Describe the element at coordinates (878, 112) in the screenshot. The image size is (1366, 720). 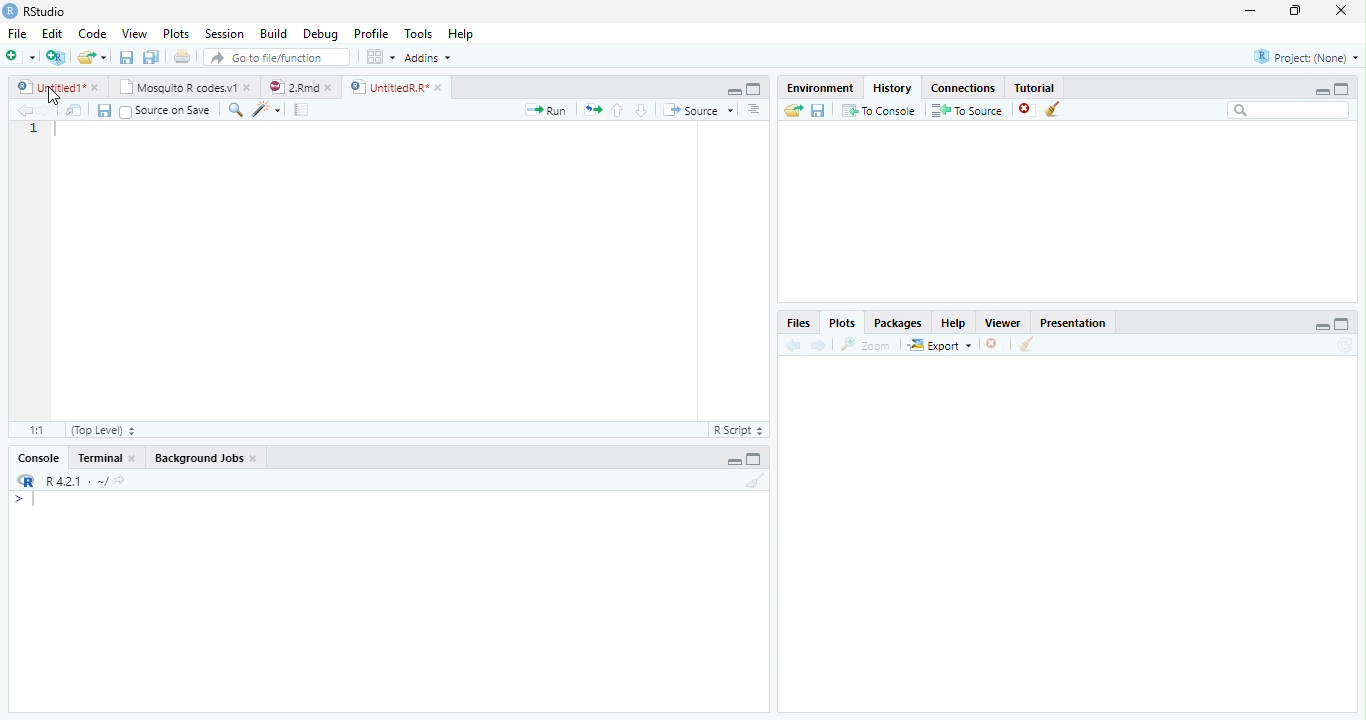
I see `To Console` at that location.